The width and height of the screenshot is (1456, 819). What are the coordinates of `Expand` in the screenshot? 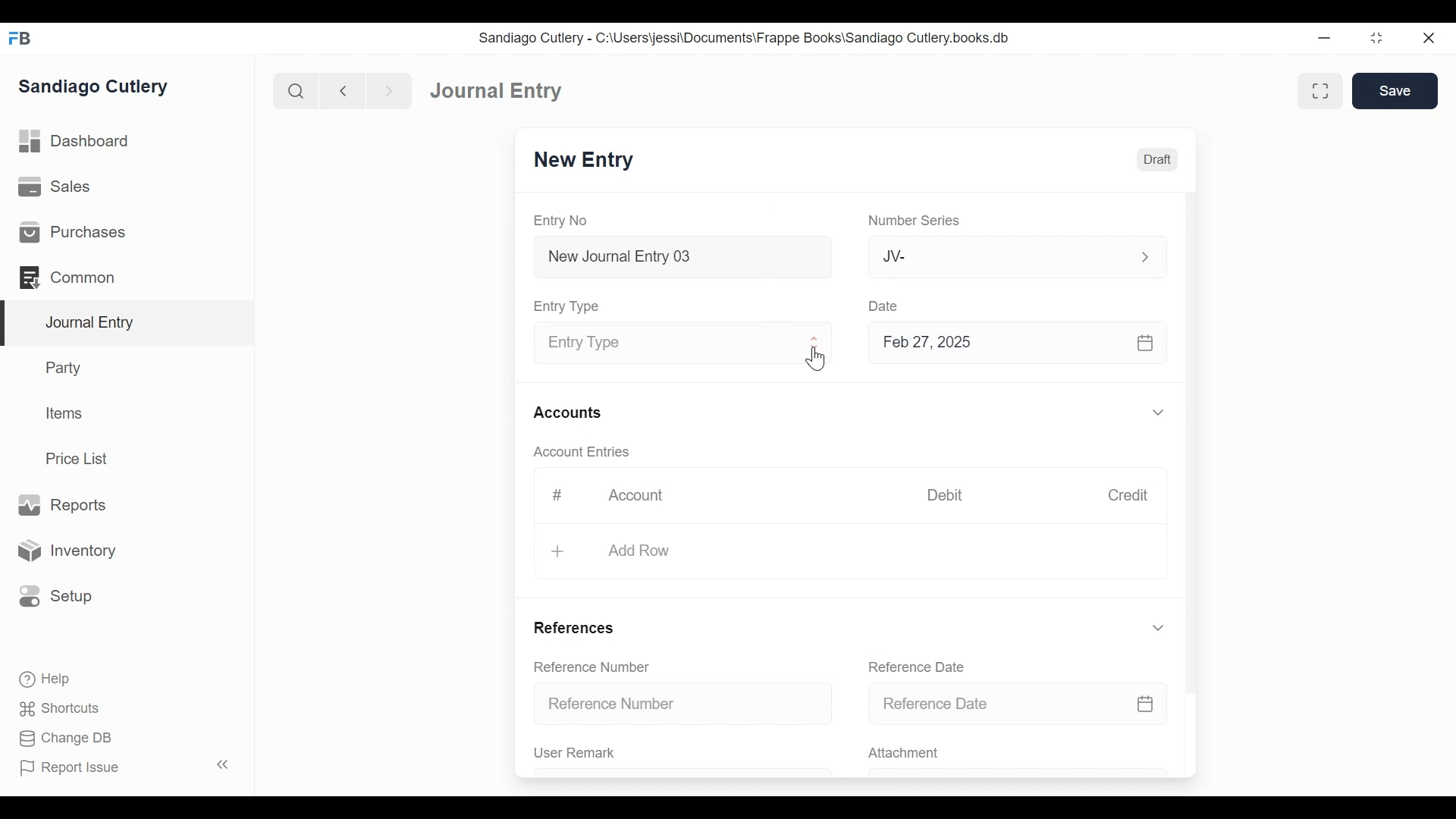 It's located at (1160, 628).